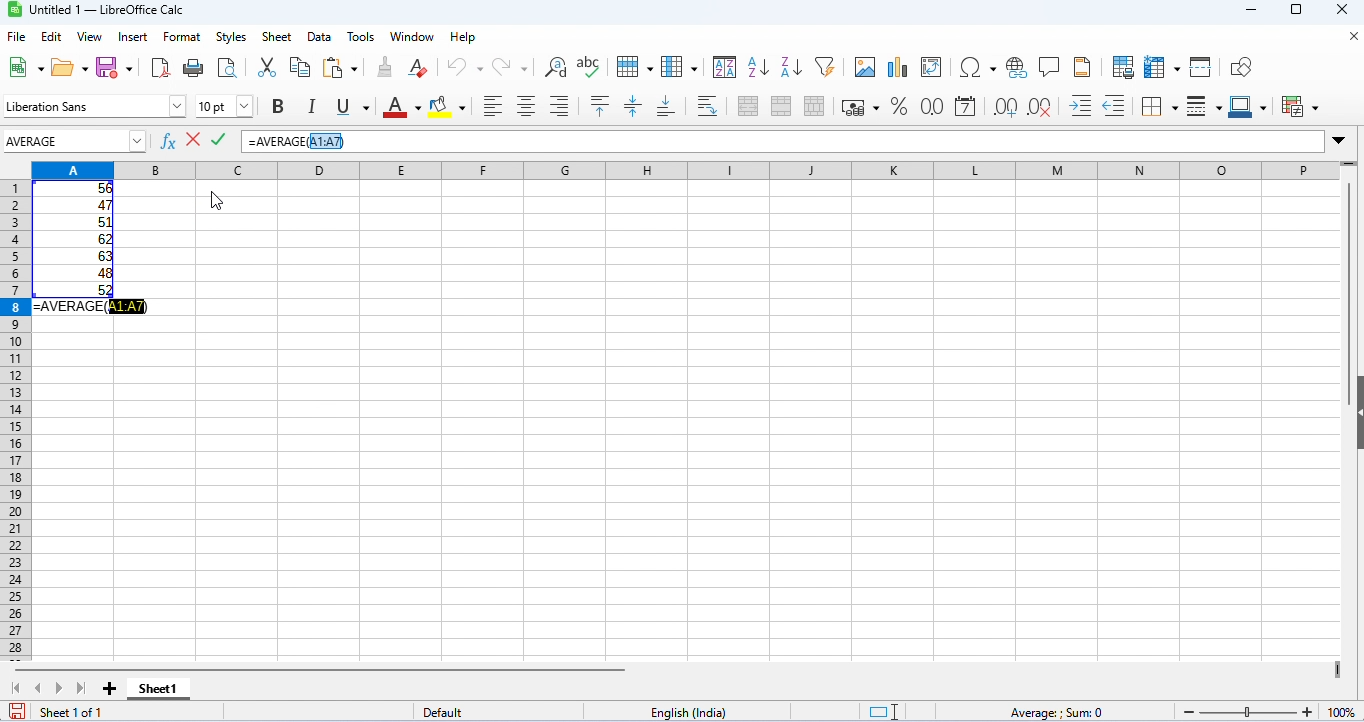 The image size is (1364, 722). Describe the element at coordinates (193, 138) in the screenshot. I see `reject` at that location.